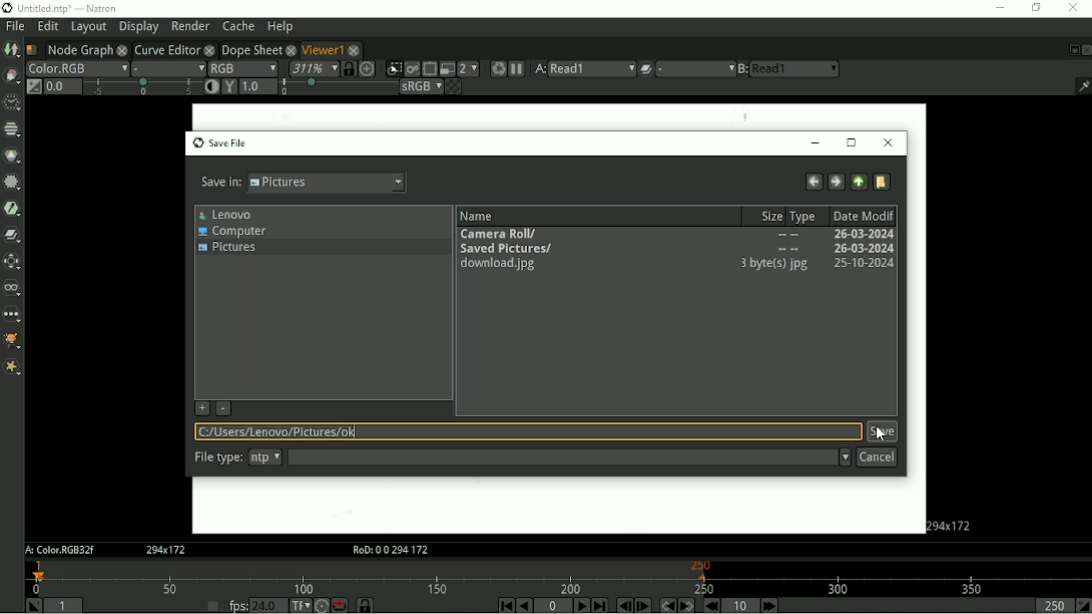 The height and width of the screenshot is (614, 1092). I want to click on Set playback frame rate automatically, so click(213, 606).